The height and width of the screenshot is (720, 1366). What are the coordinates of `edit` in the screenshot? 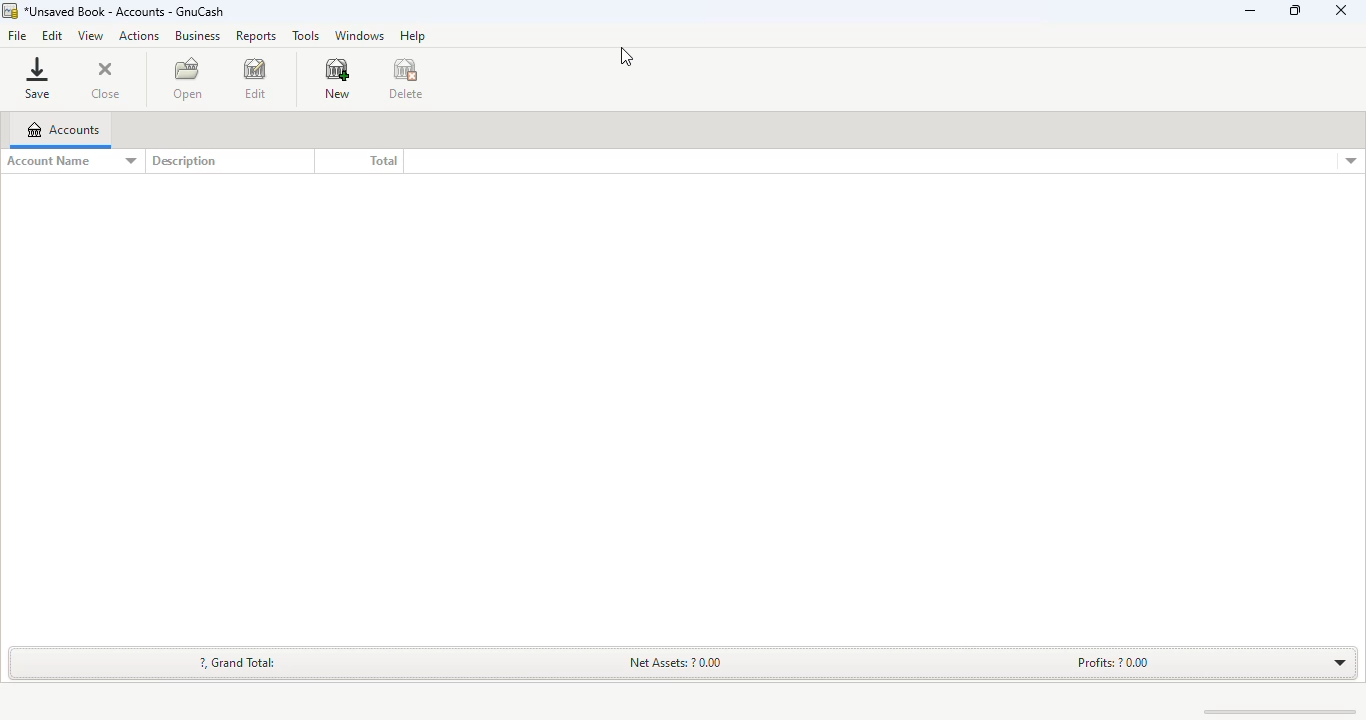 It's located at (52, 35).